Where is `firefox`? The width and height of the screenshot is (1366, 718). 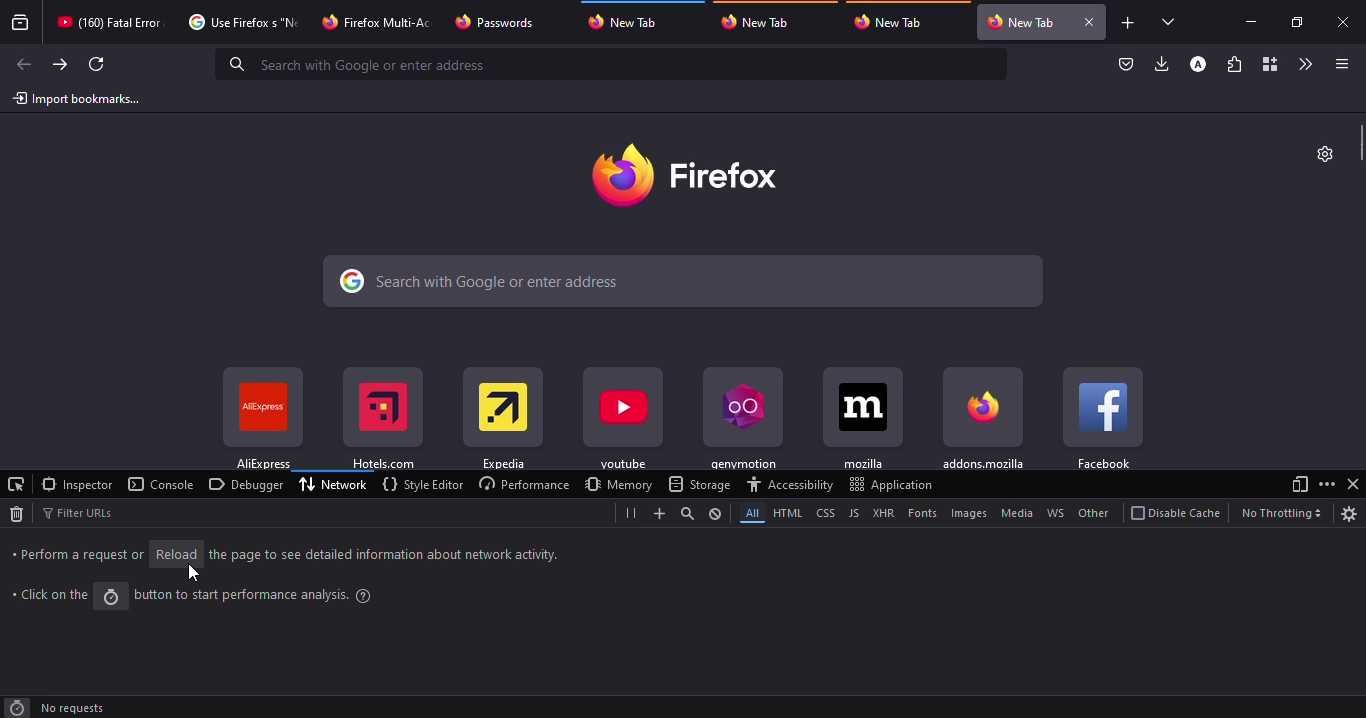
firefox is located at coordinates (684, 172).